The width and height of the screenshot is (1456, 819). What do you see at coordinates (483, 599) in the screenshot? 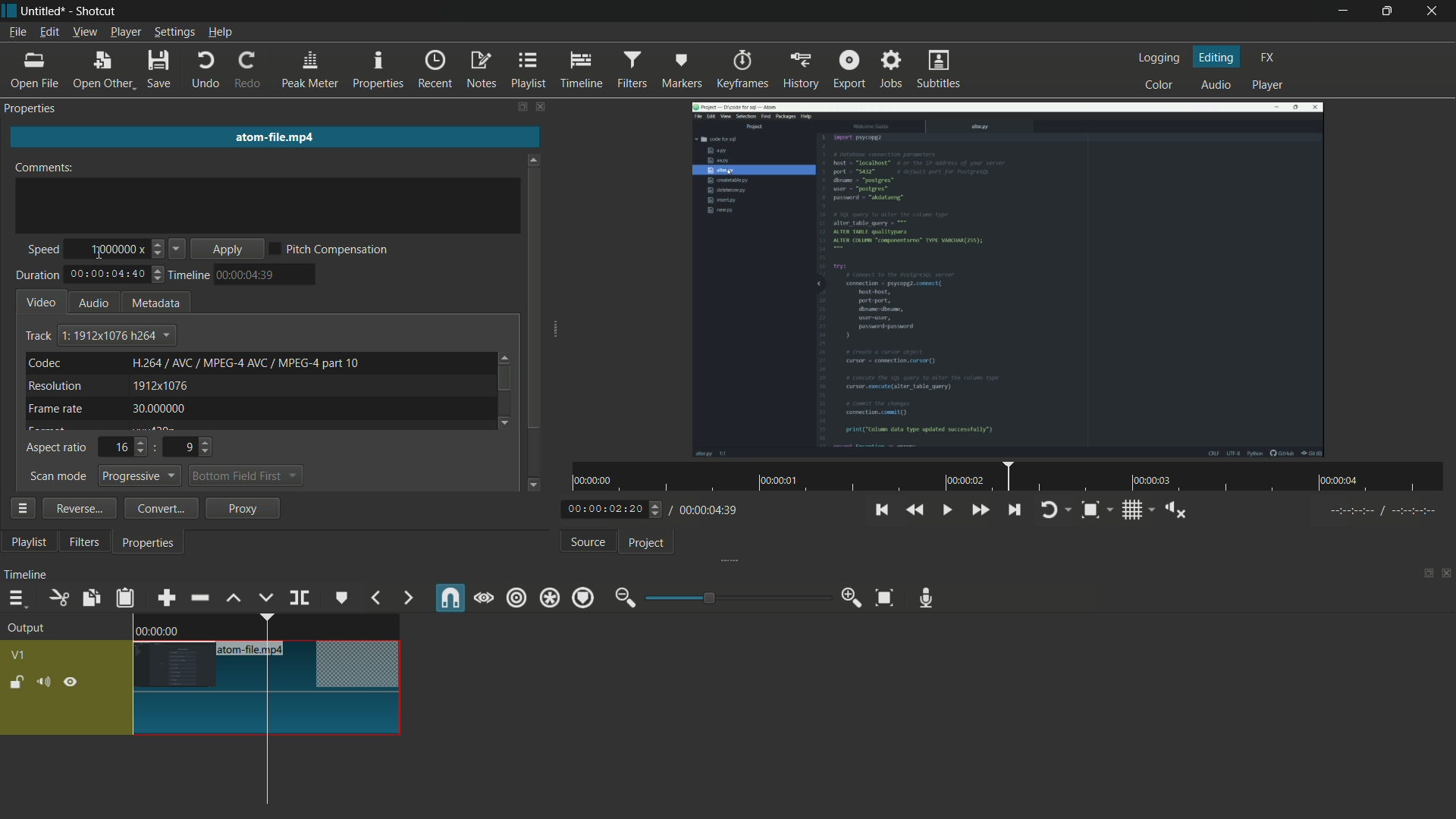
I see `scrub while dragging` at bounding box center [483, 599].